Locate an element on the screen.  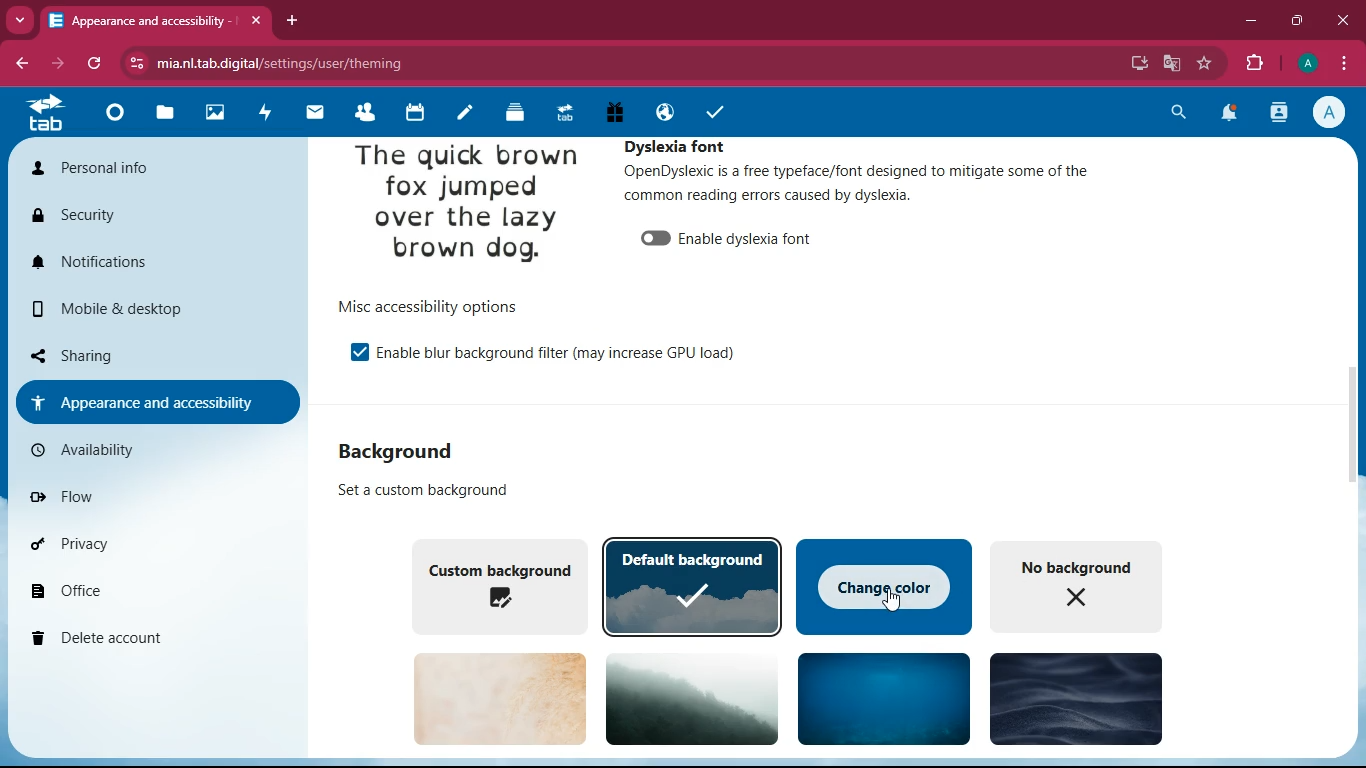
security is located at coordinates (113, 215).